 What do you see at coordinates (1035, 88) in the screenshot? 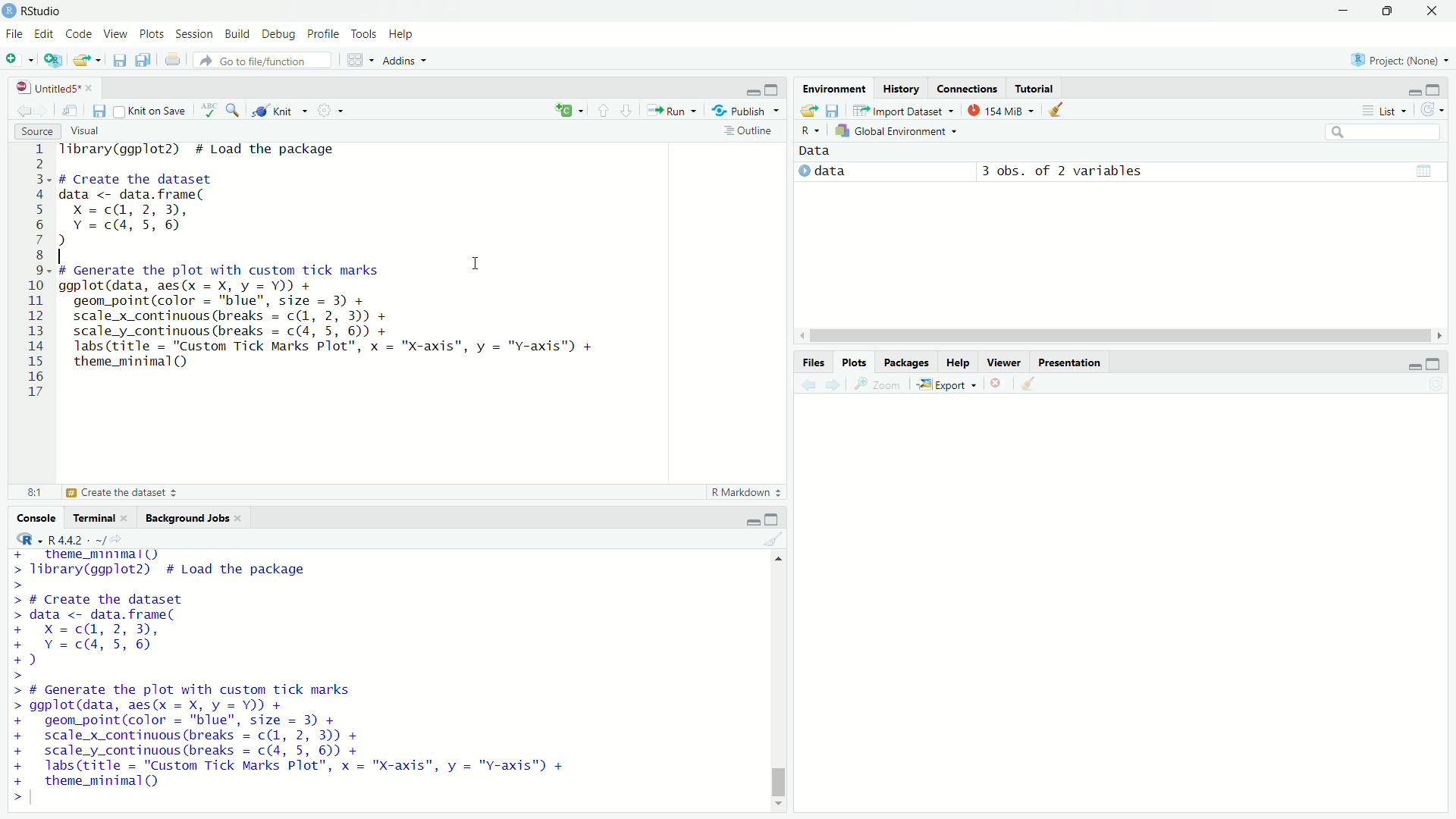
I see `tutorial` at bounding box center [1035, 88].